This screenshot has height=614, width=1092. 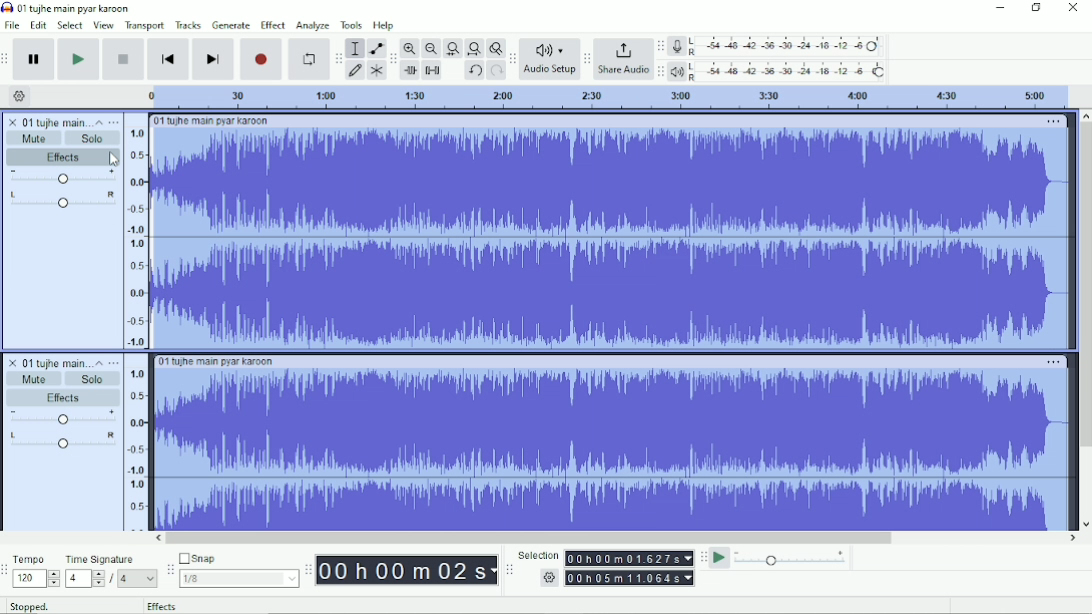 What do you see at coordinates (65, 399) in the screenshot?
I see `Effects` at bounding box center [65, 399].